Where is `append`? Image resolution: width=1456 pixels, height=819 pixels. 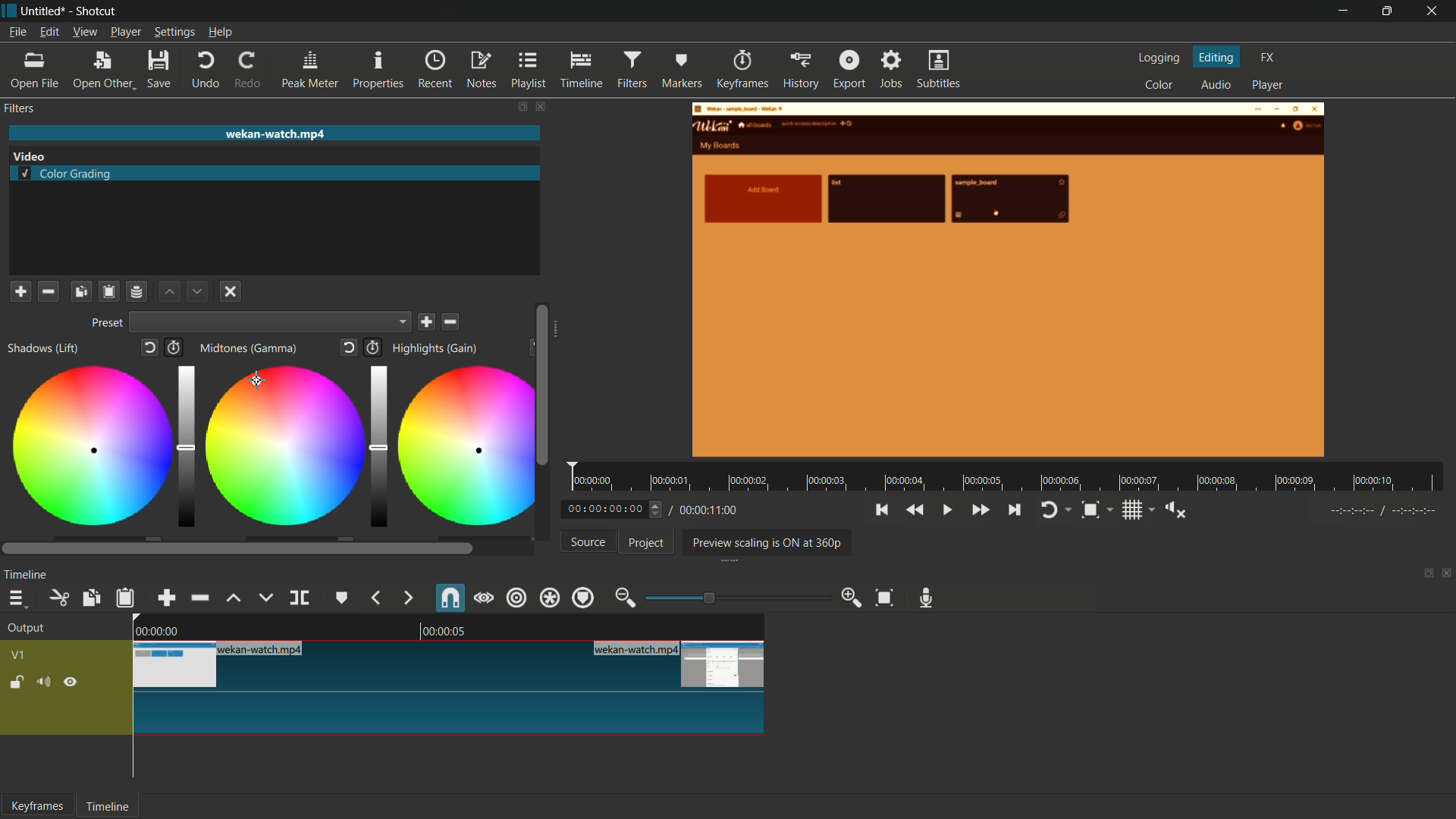
append is located at coordinates (167, 598).